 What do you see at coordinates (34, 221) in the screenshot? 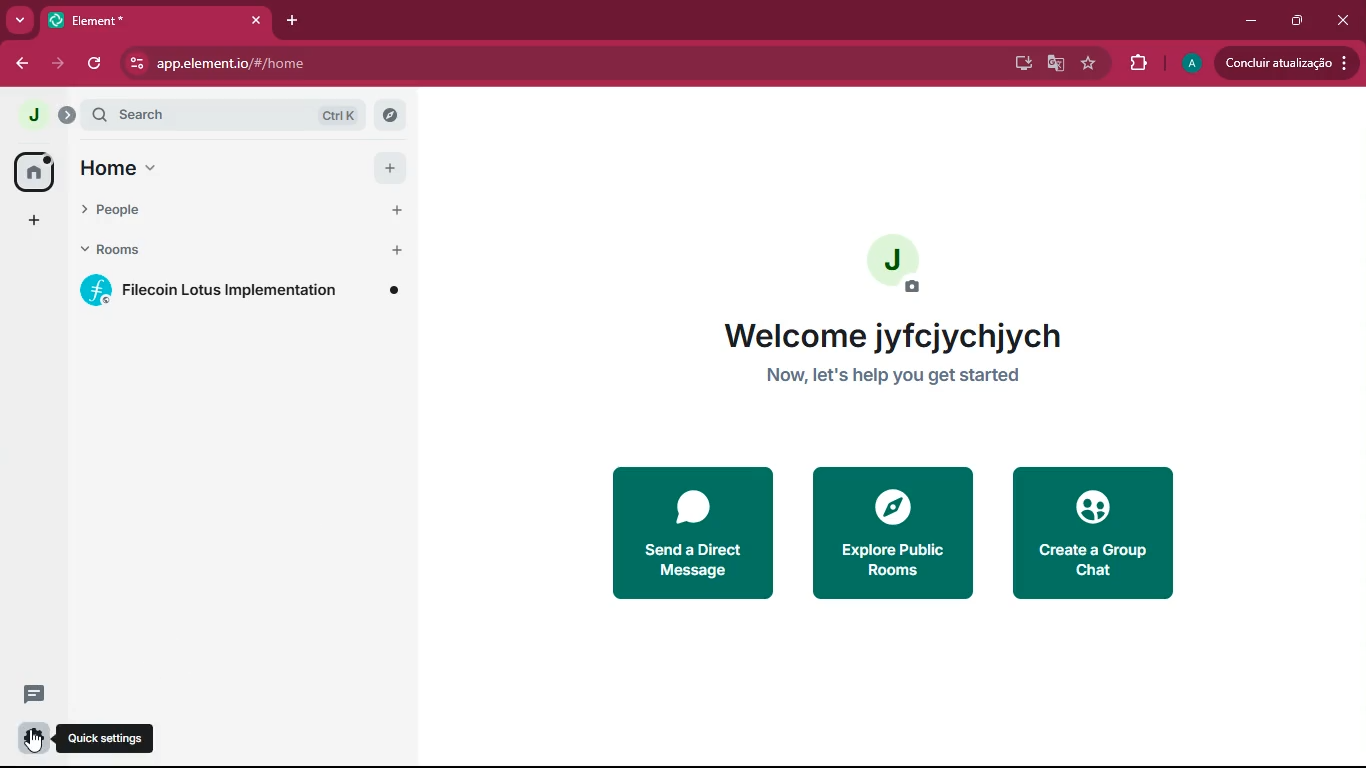
I see `add` at bounding box center [34, 221].